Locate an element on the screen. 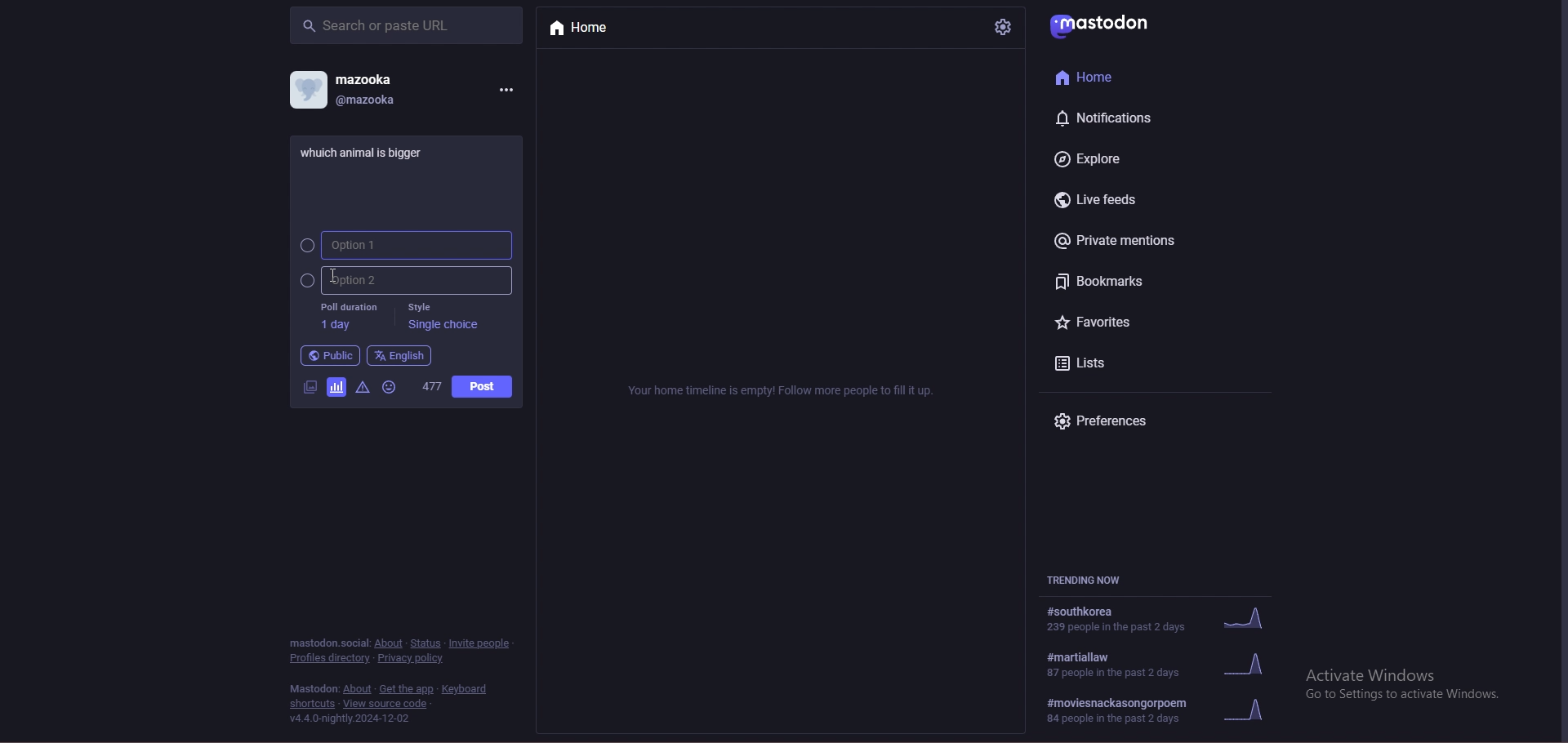 Image resolution: width=1568 pixels, height=743 pixels. private mentions is located at coordinates (1128, 240).